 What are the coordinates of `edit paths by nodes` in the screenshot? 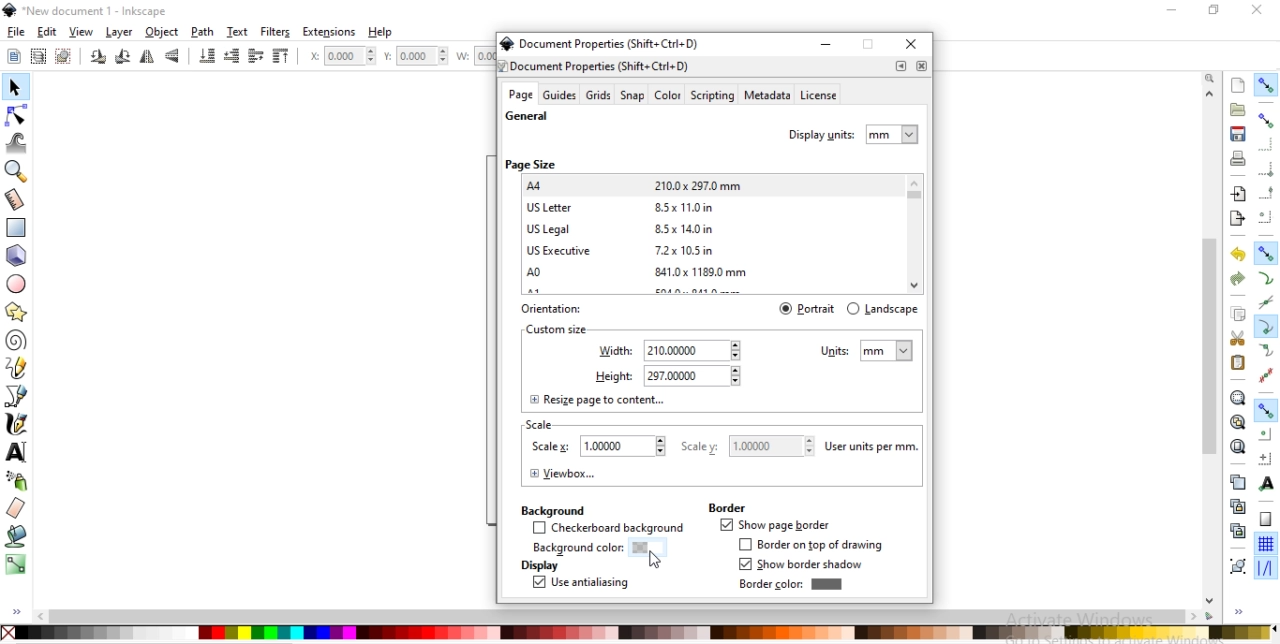 It's located at (15, 118).